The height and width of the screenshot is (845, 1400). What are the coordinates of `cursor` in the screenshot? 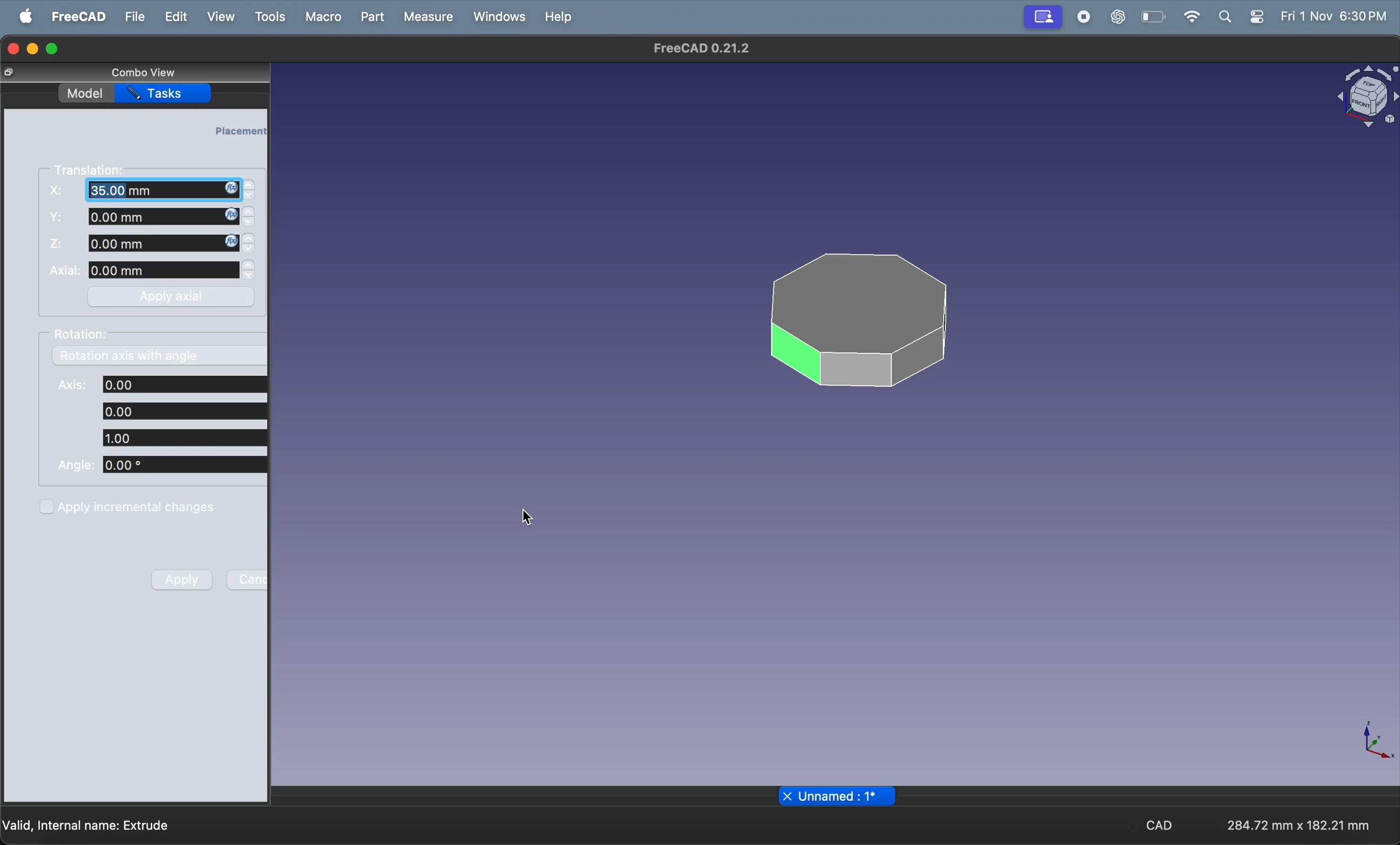 It's located at (526, 515).